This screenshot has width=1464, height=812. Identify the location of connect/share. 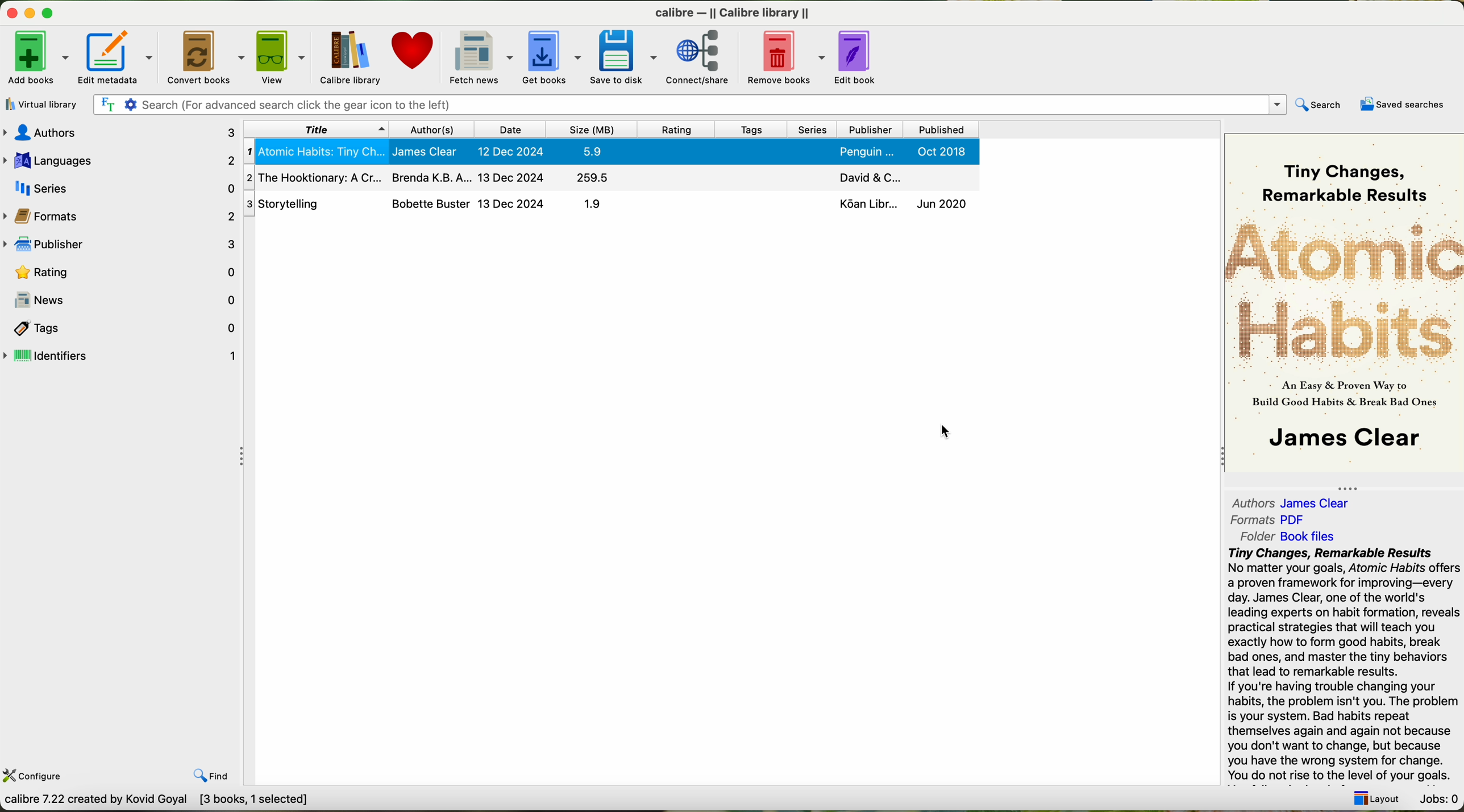
(702, 57).